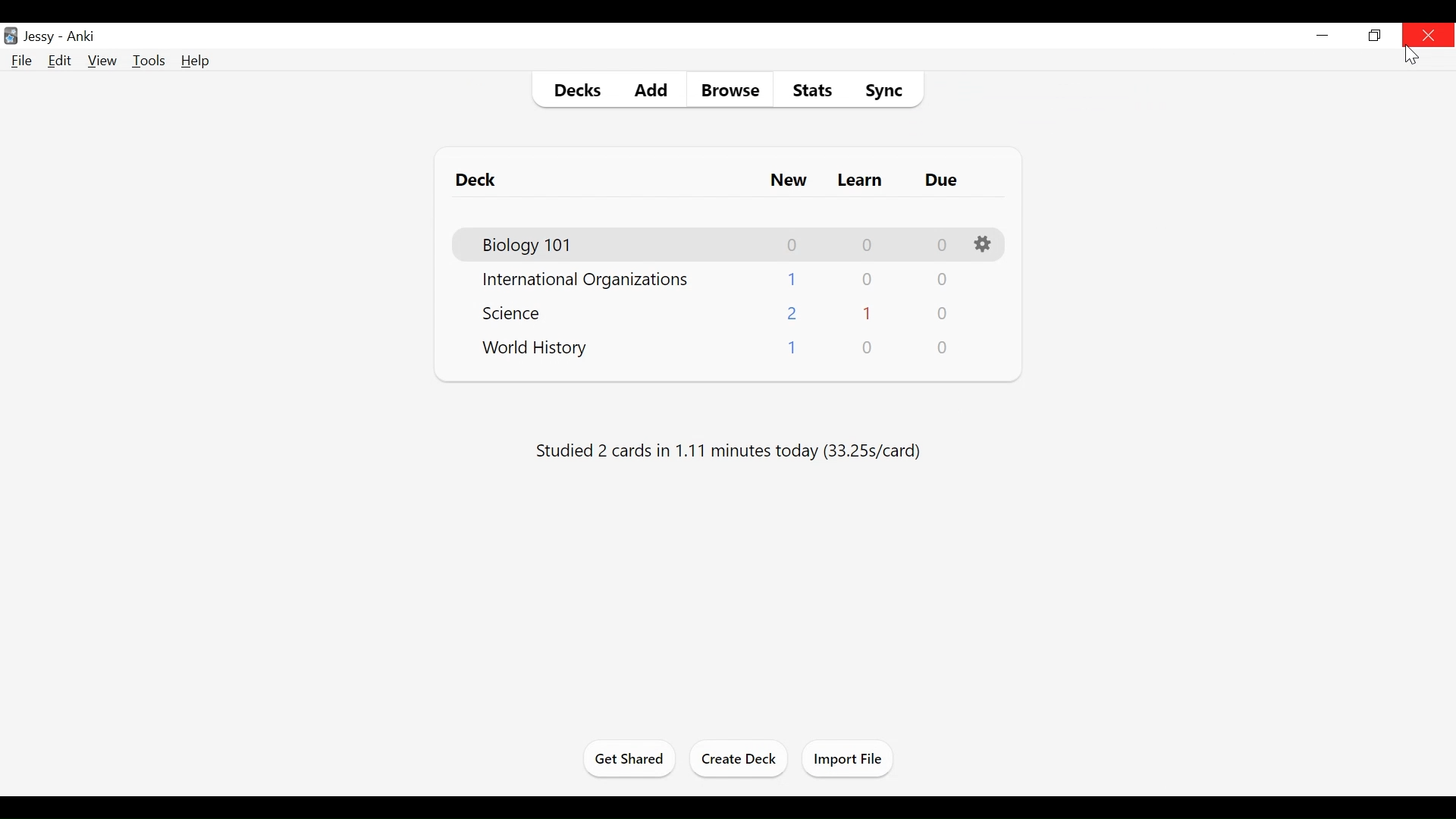 This screenshot has width=1456, height=819. What do you see at coordinates (1427, 35) in the screenshot?
I see `Close` at bounding box center [1427, 35].